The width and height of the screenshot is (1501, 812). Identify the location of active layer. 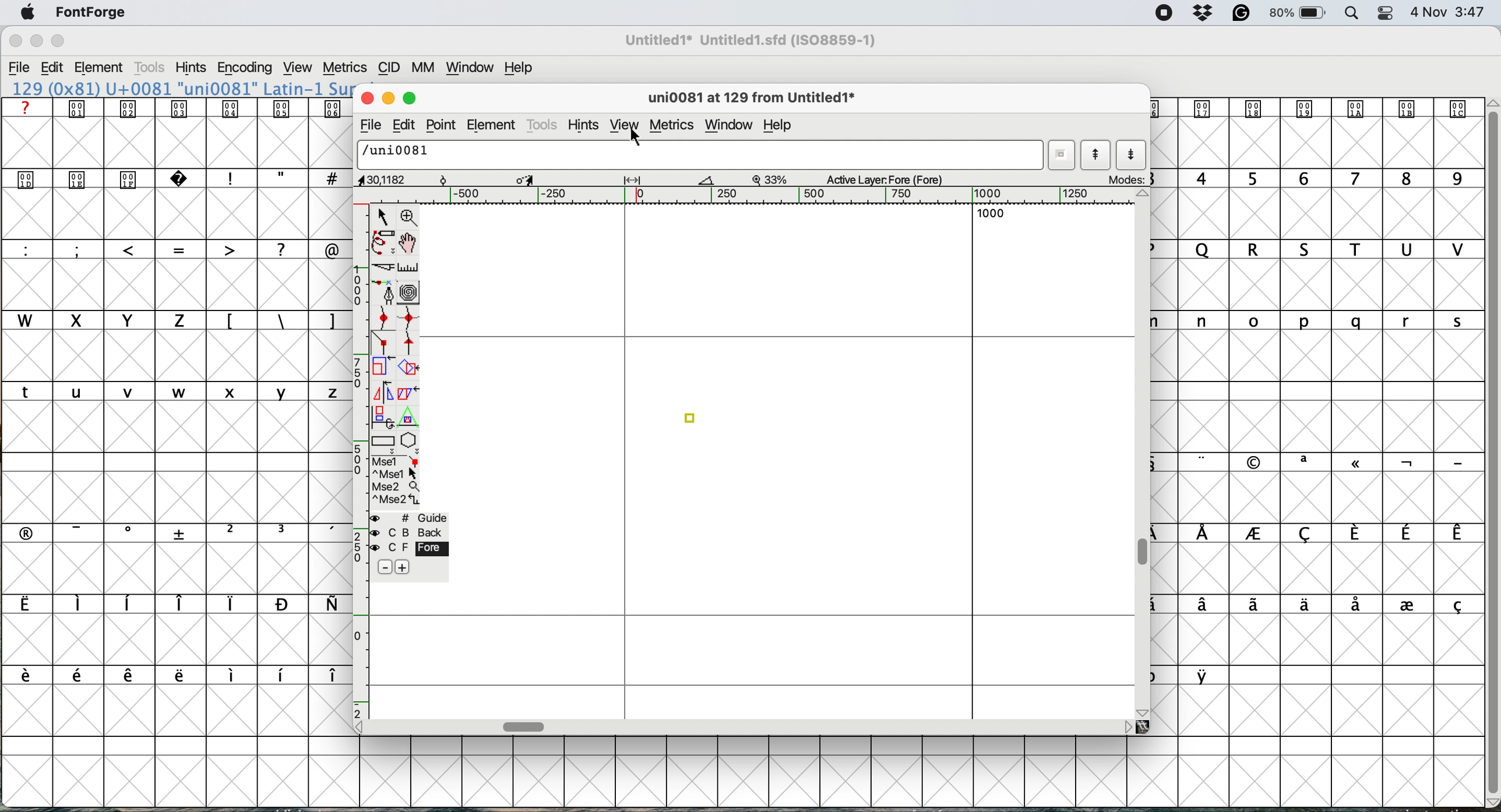
(886, 180).